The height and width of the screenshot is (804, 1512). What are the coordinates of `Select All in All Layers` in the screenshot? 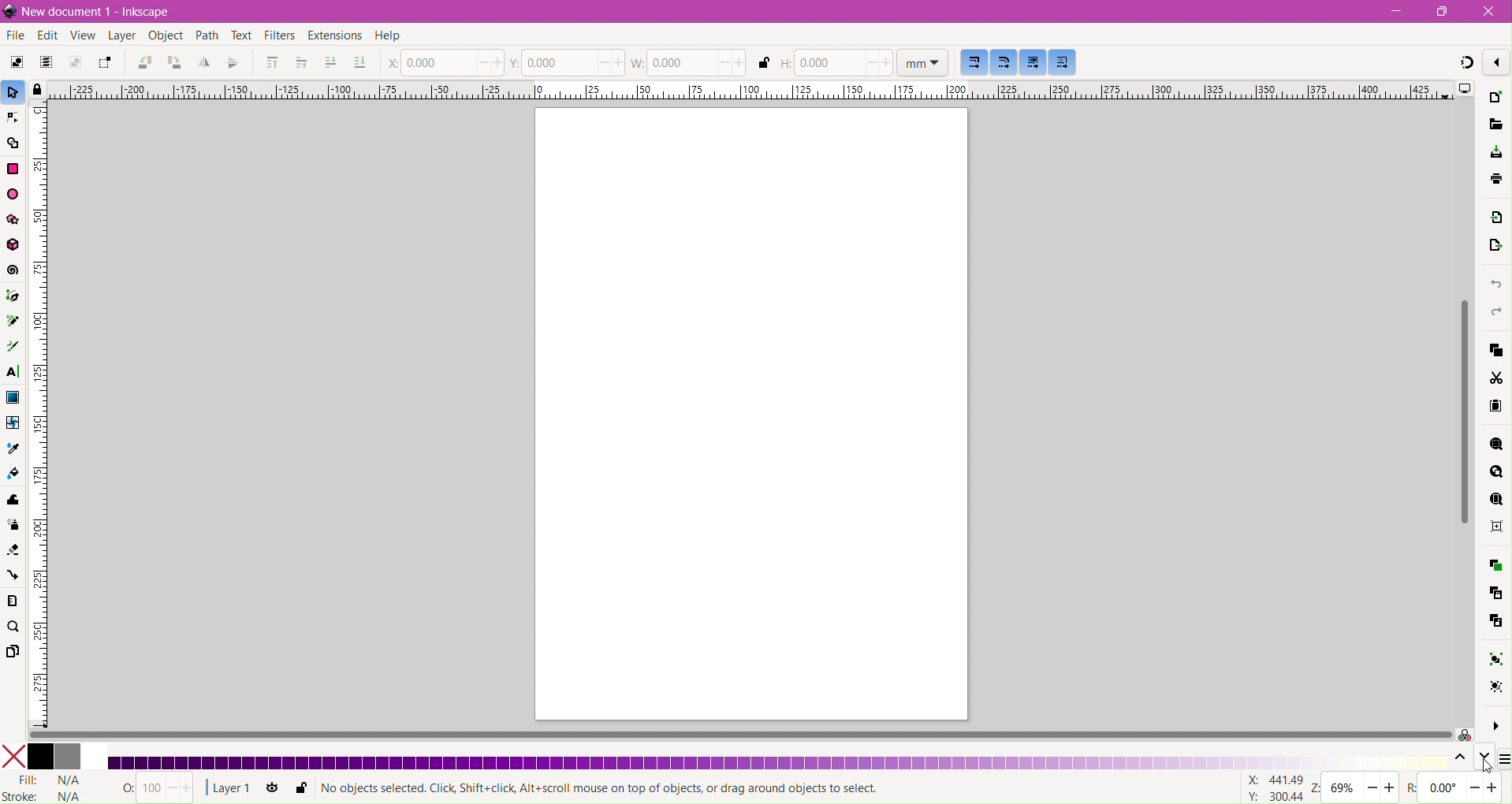 It's located at (45, 63).